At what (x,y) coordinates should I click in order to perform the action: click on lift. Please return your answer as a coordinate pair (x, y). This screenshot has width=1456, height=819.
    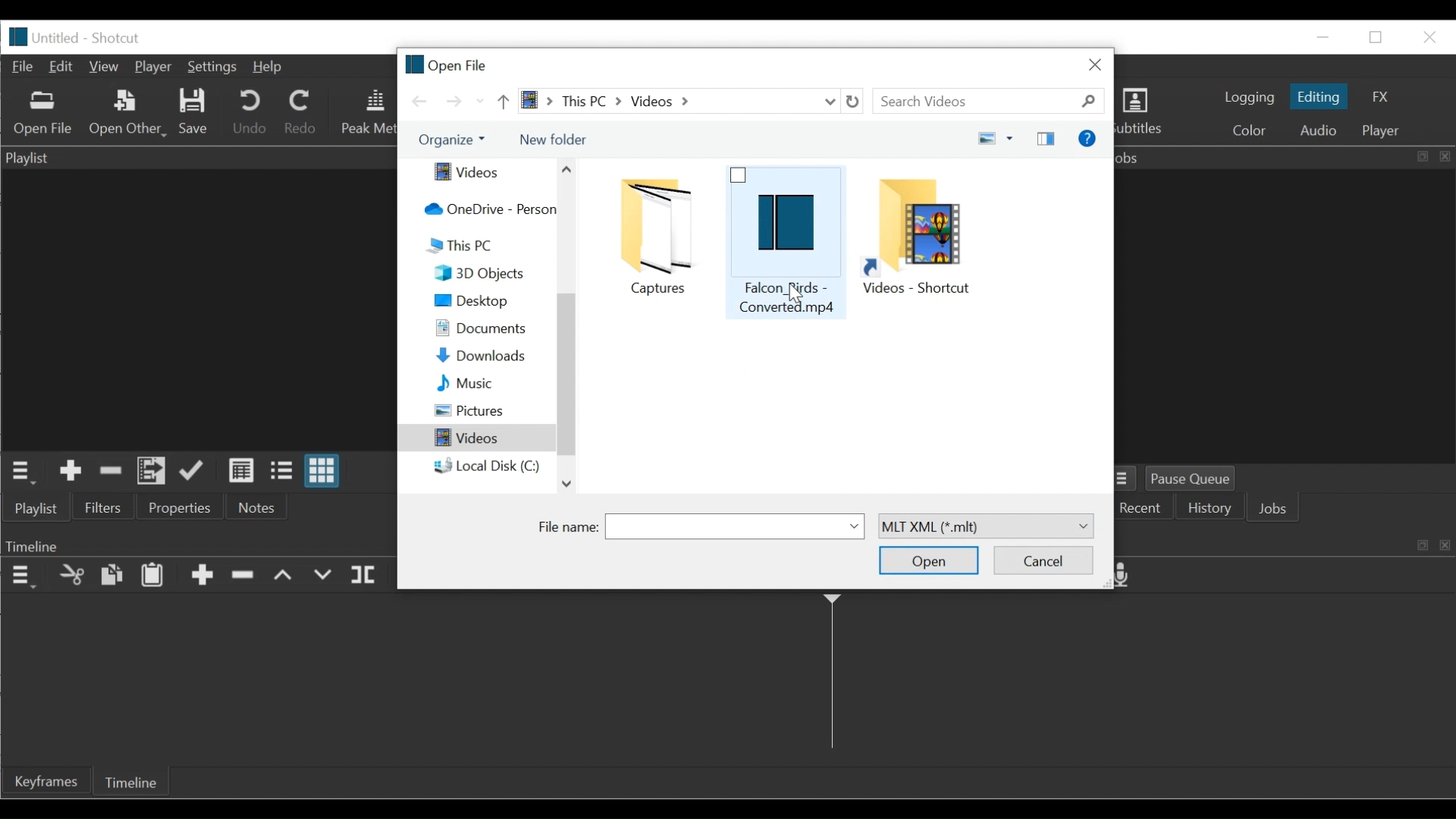
    Looking at the image, I should click on (284, 576).